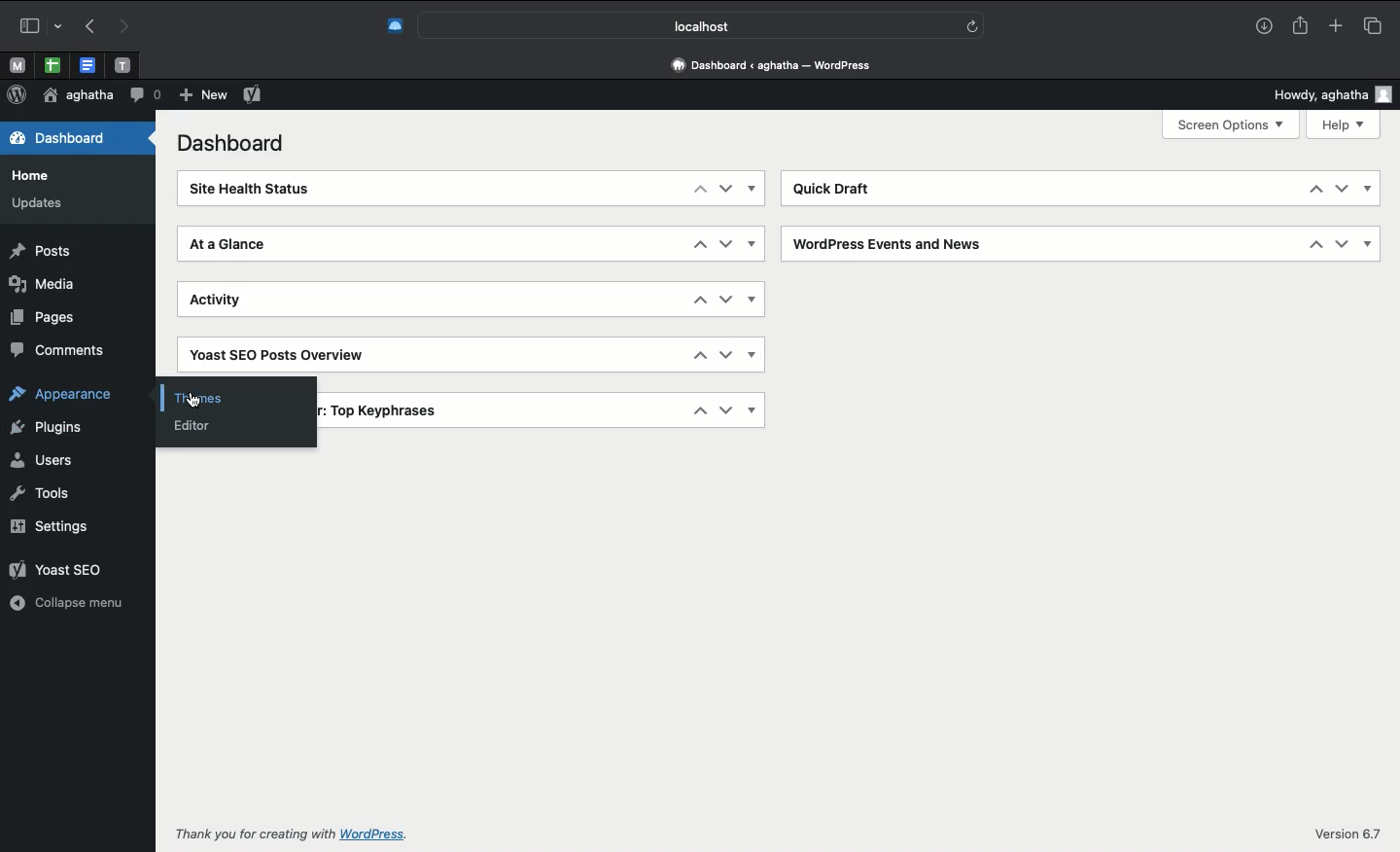  Describe the element at coordinates (45, 285) in the screenshot. I see `Media` at that location.